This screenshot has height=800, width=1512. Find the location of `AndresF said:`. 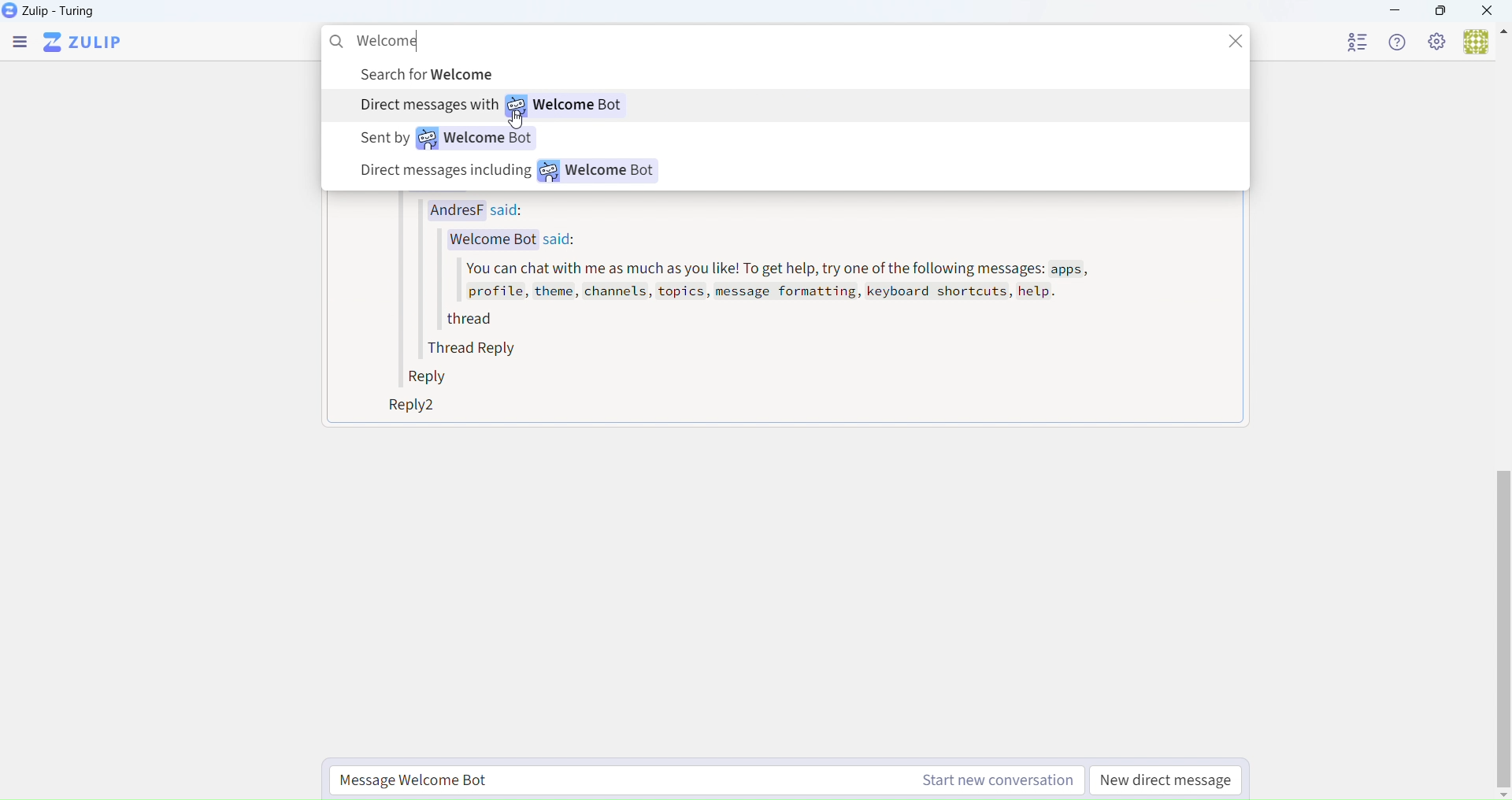

AndresF said: is located at coordinates (482, 208).